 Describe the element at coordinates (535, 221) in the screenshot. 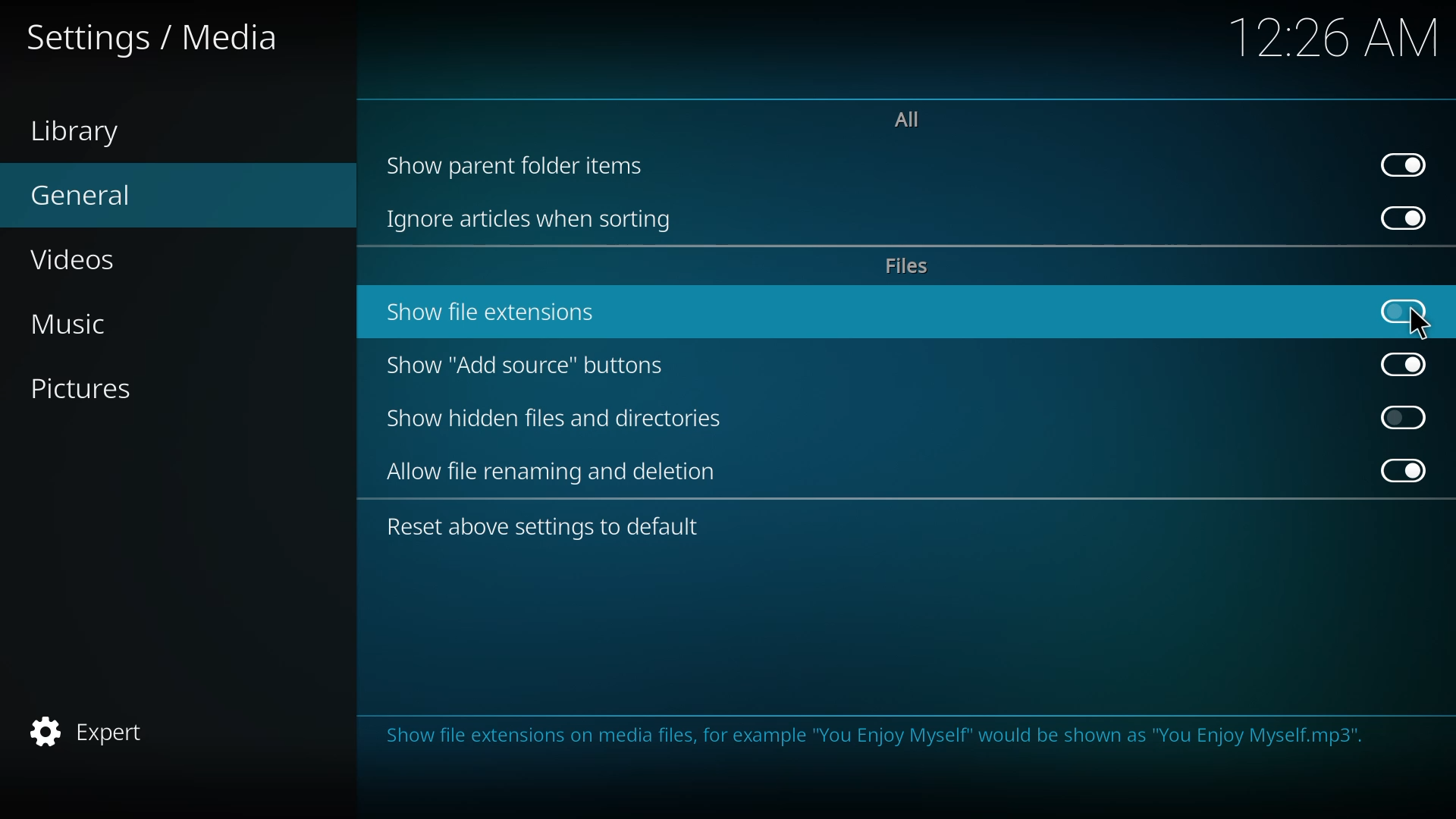

I see `ignore articles when sorting` at that location.